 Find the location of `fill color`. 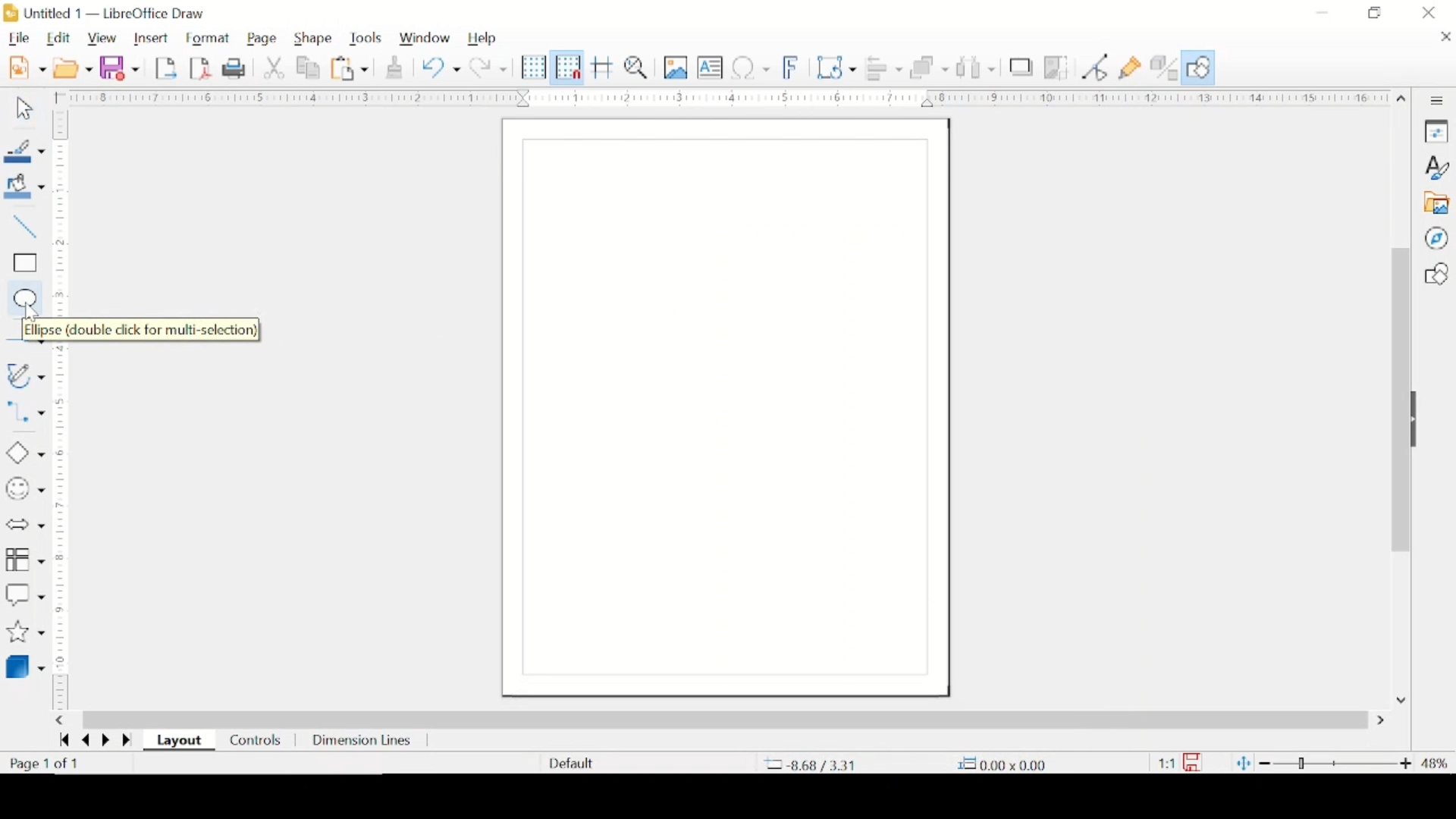

fill color is located at coordinates (27, 187).